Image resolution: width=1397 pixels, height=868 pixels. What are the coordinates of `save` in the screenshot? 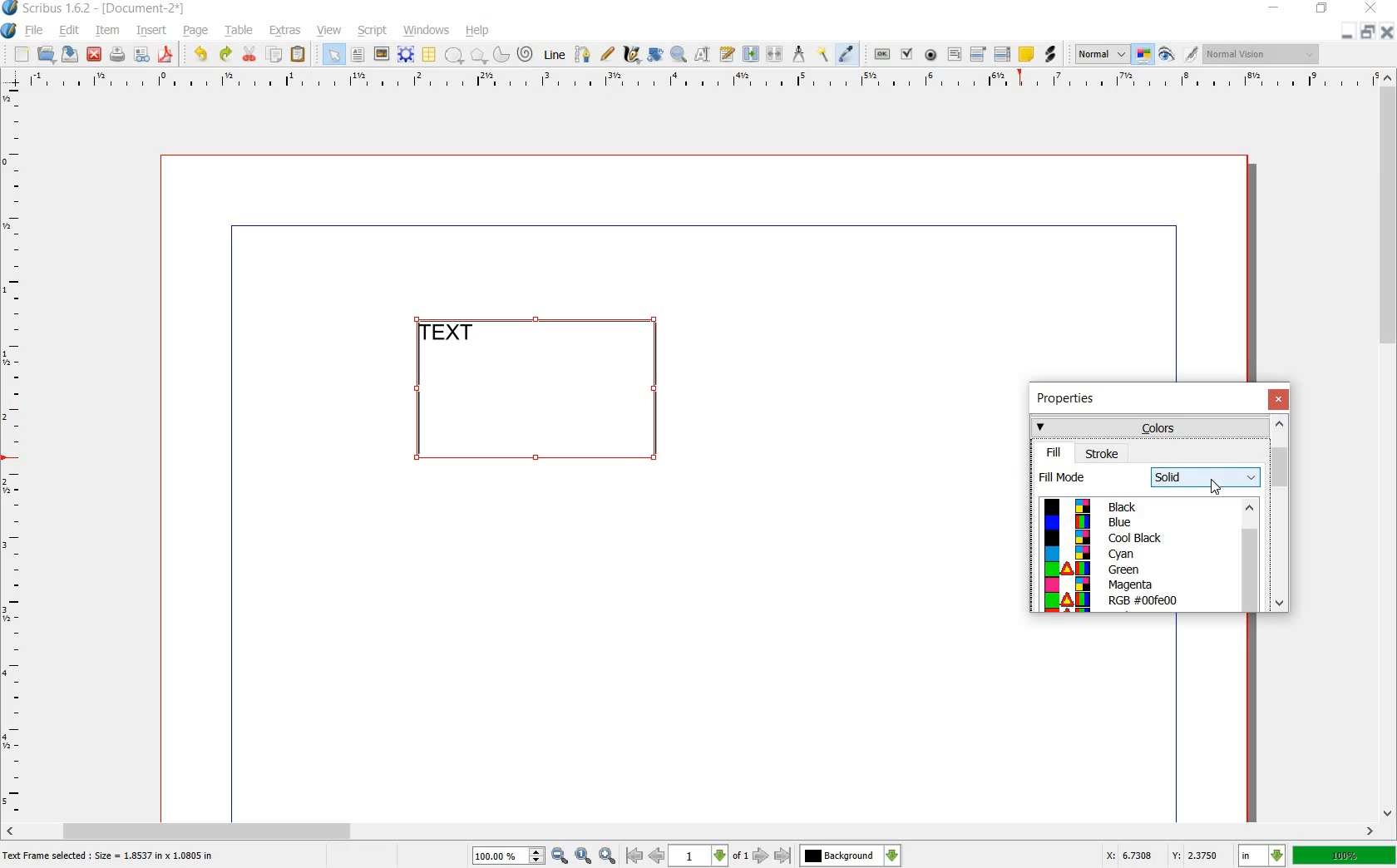 It's located at (72, 54).